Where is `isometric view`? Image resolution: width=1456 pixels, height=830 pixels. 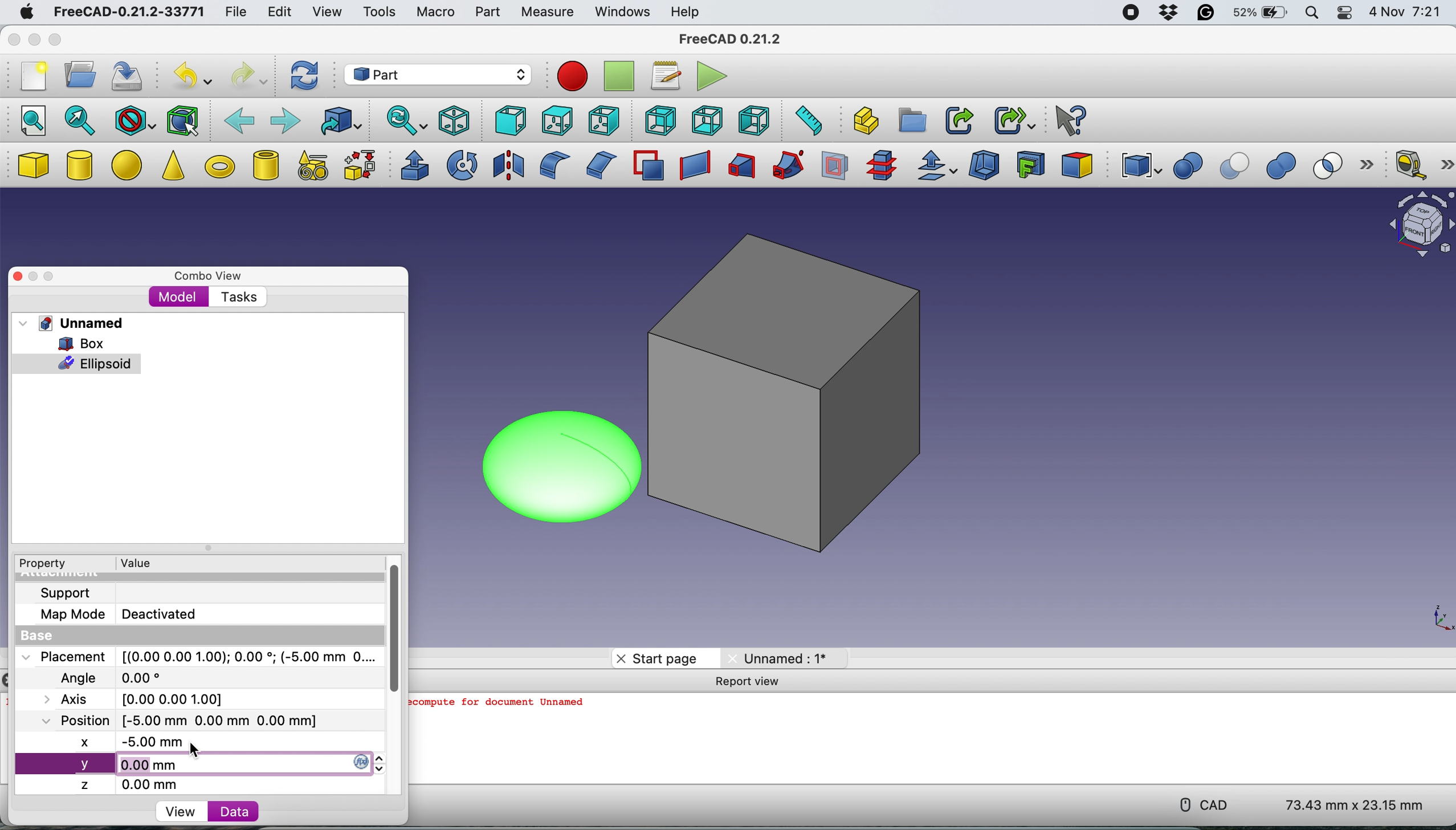
isometric view is located at coordinates (455, 120).